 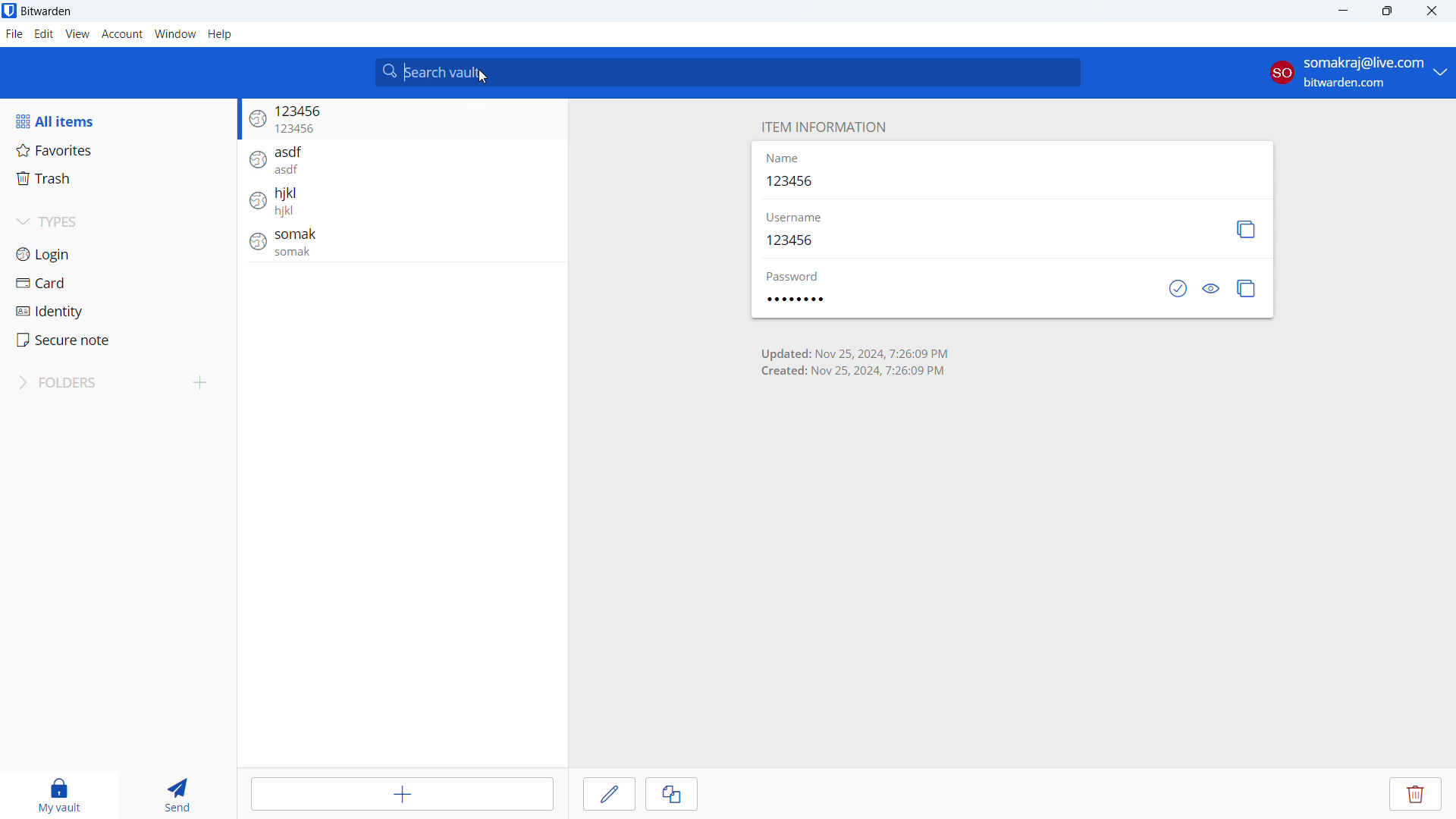 What do you see at coordinates (115, 179) in the screenshot?
I see `trash` at bounding box center [115, 179].